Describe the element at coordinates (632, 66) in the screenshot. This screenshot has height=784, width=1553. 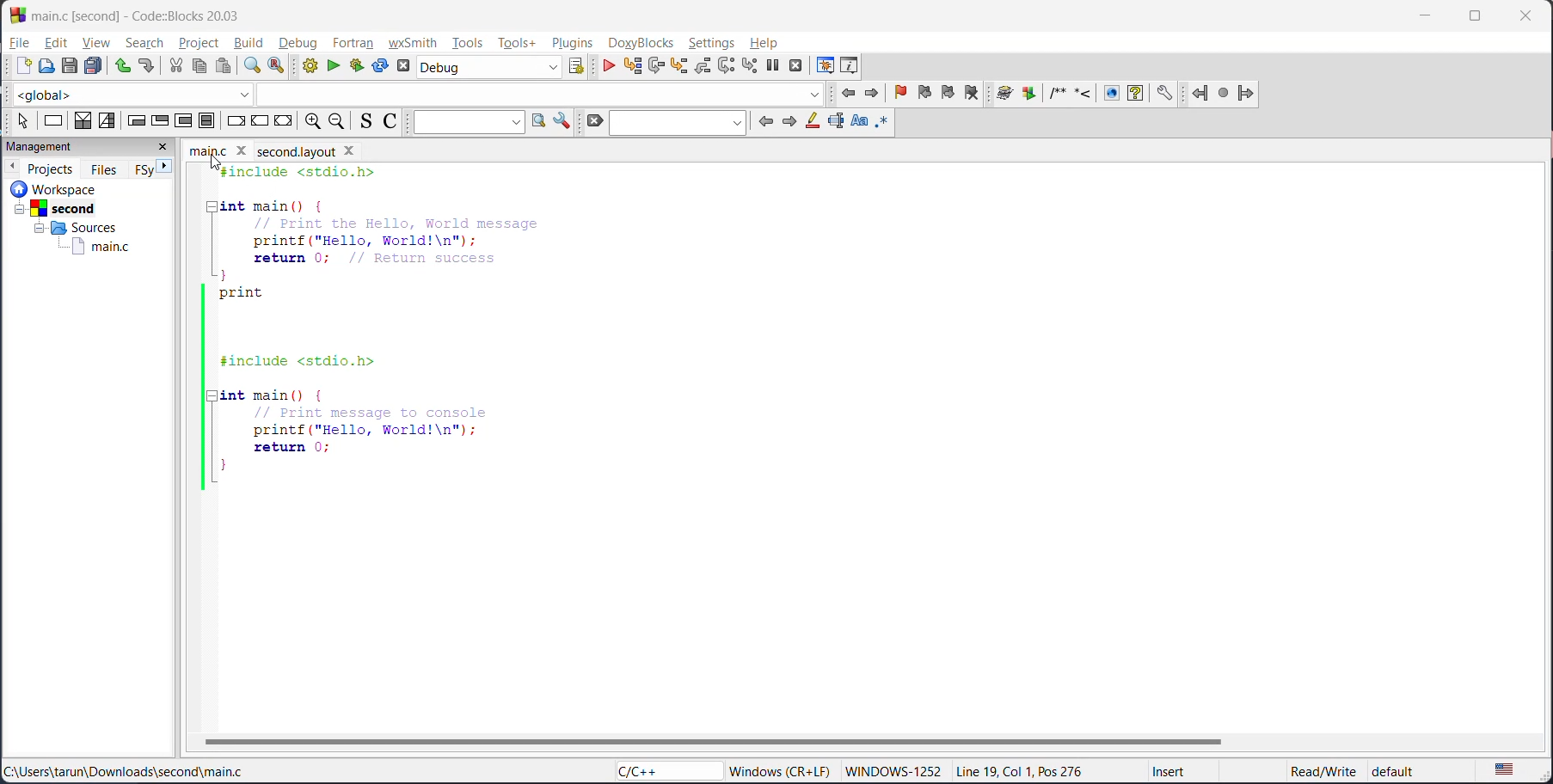
I see `run to cursor` at that location.